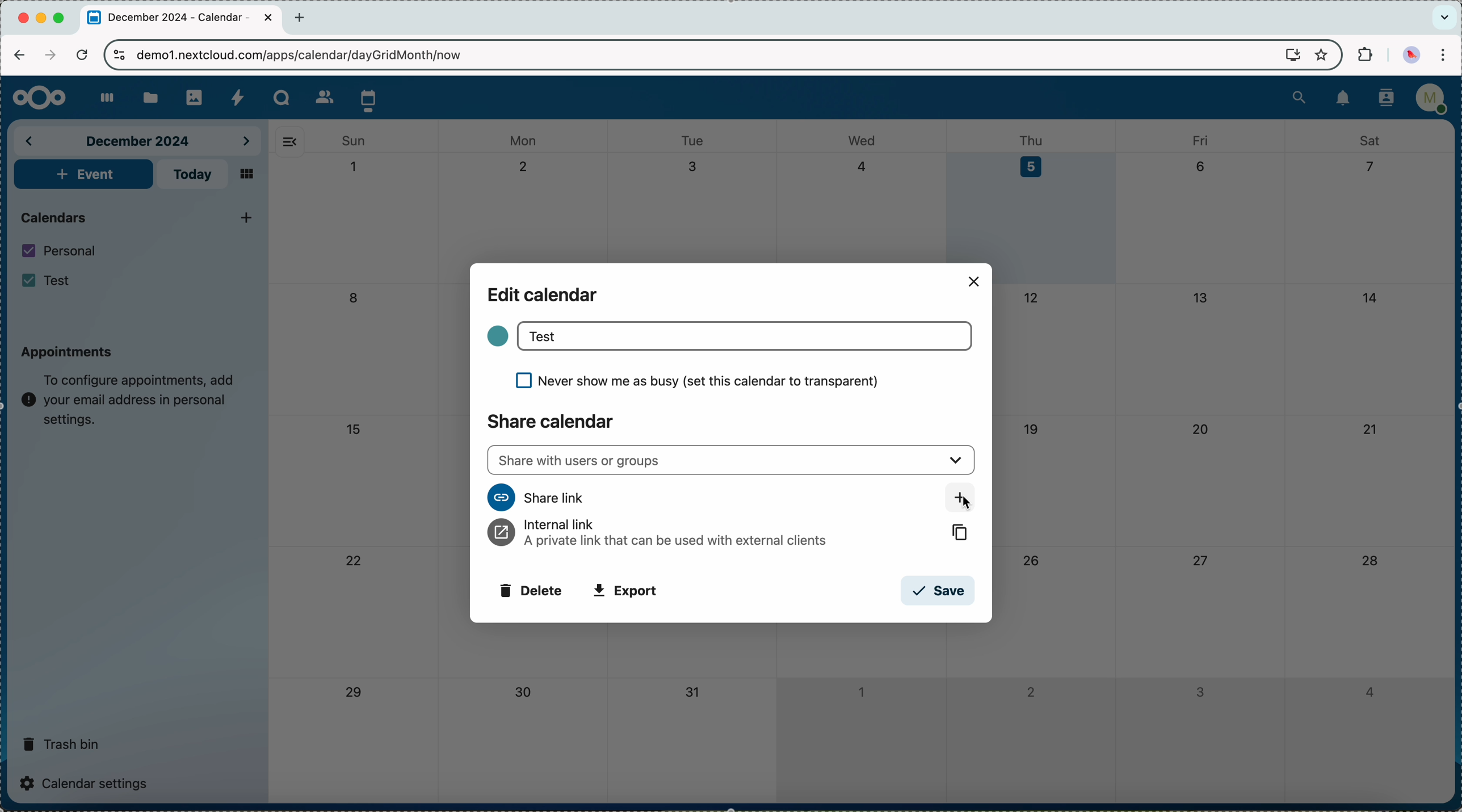 This screenshot has width=1462, height=812. I want to click on refresh the page, so click(81, 54).